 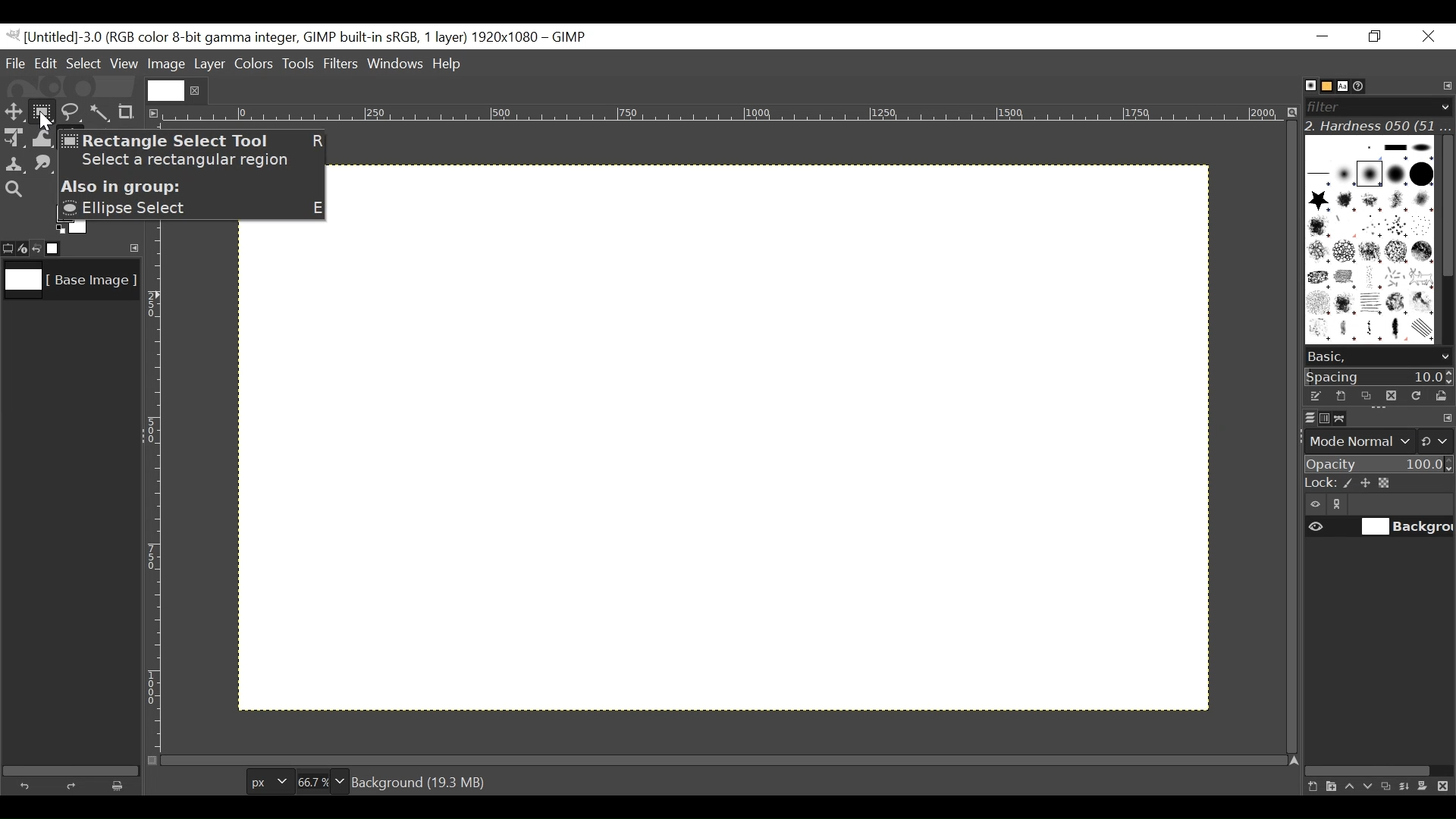 What do you see at coordinates (300, 65) in the screenshot?
I see `Tools` at bounding box center [300, 65].